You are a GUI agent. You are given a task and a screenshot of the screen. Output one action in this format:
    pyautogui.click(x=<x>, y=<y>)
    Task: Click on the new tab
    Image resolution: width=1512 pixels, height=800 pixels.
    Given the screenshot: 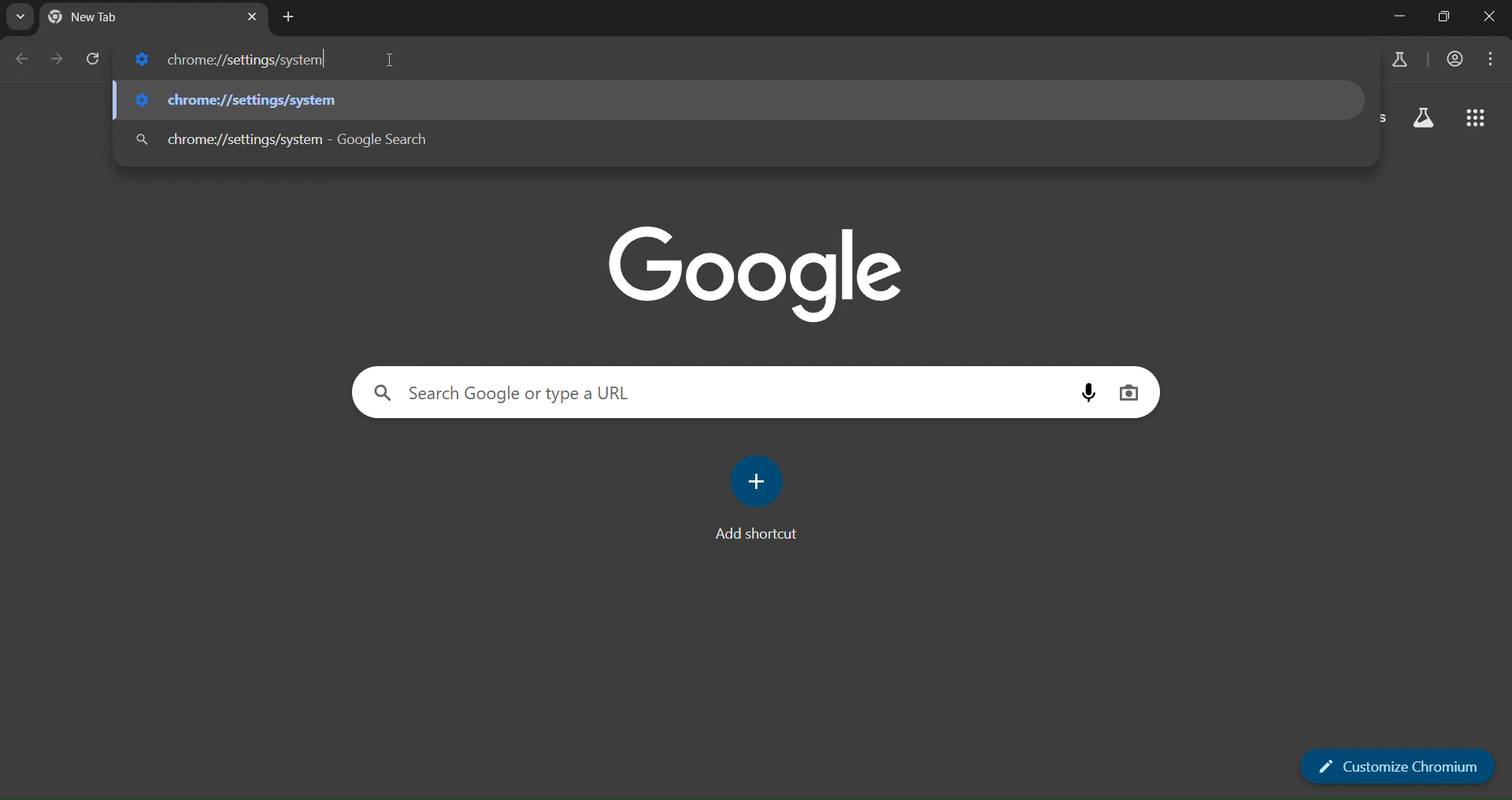 What is the action you would take?
    pyautogui.click(x=289, y=17)
    